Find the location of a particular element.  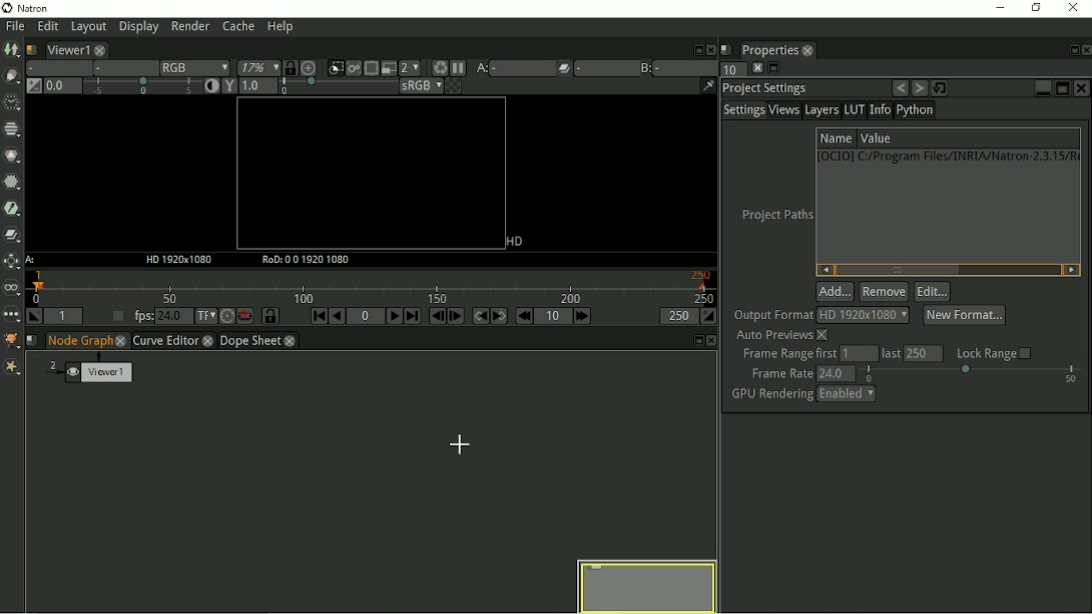

RGB is located at coordinates (191, 67).